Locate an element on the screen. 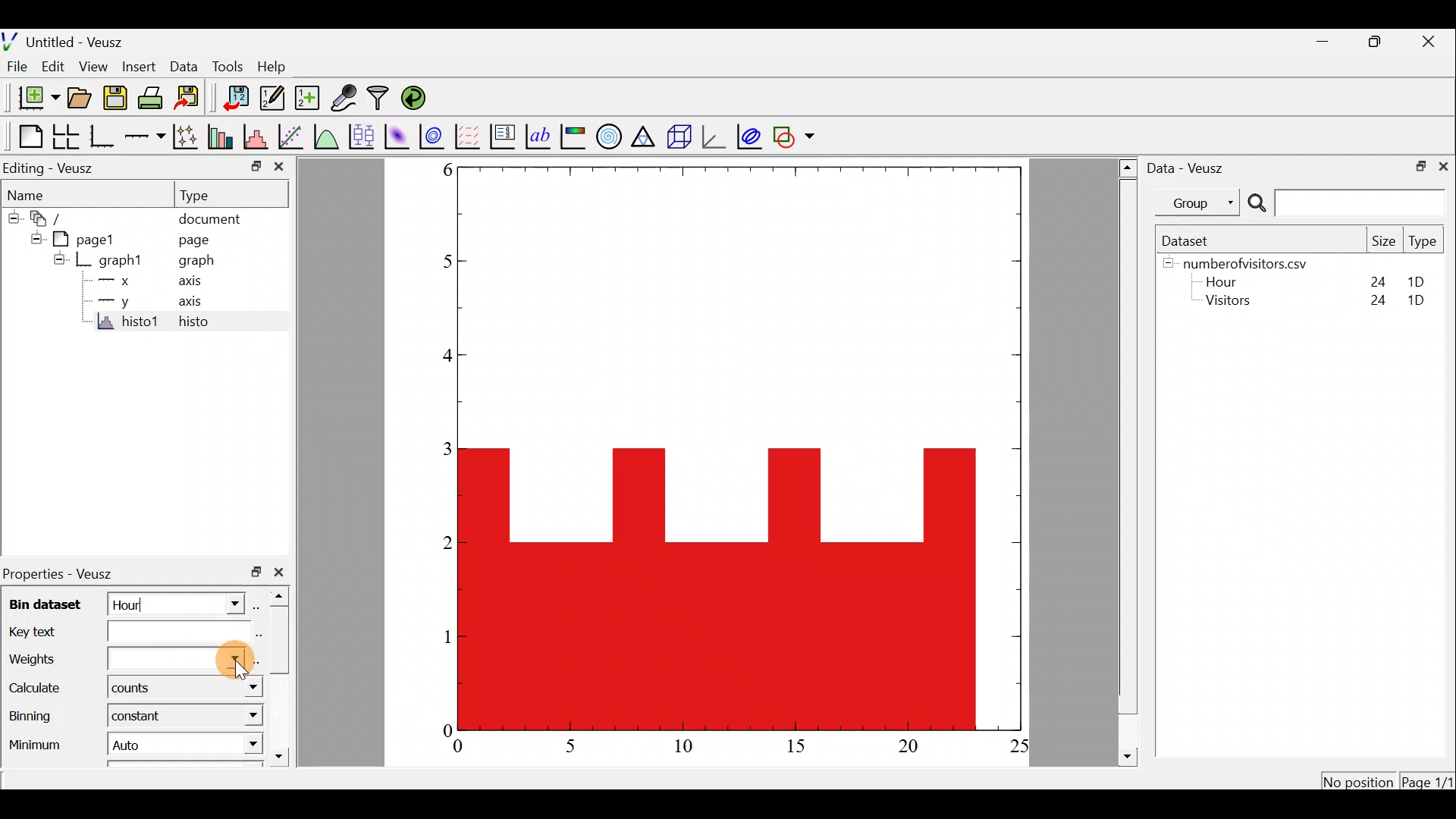 This screenshot has height=819, width=1456. restore down is located at coordinates (249, 168).